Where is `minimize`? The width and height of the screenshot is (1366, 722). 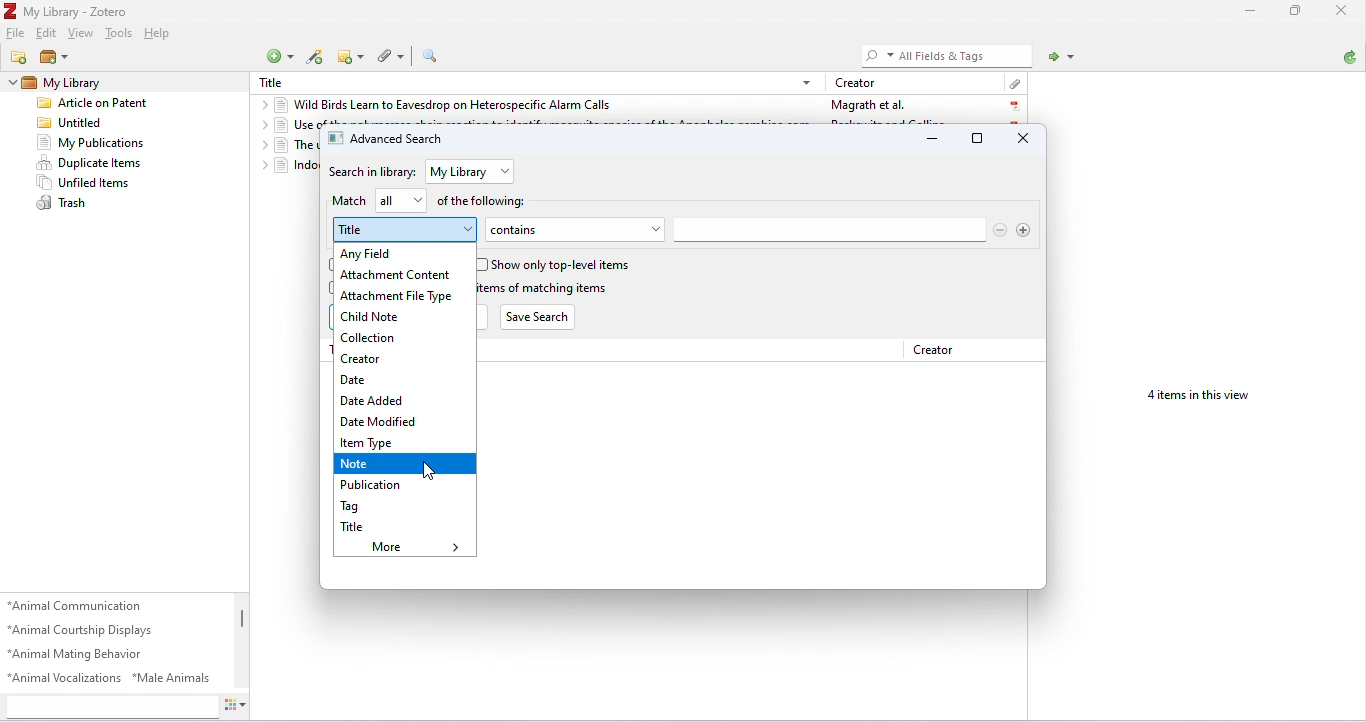 minimize is located at coordinates (935, 139).